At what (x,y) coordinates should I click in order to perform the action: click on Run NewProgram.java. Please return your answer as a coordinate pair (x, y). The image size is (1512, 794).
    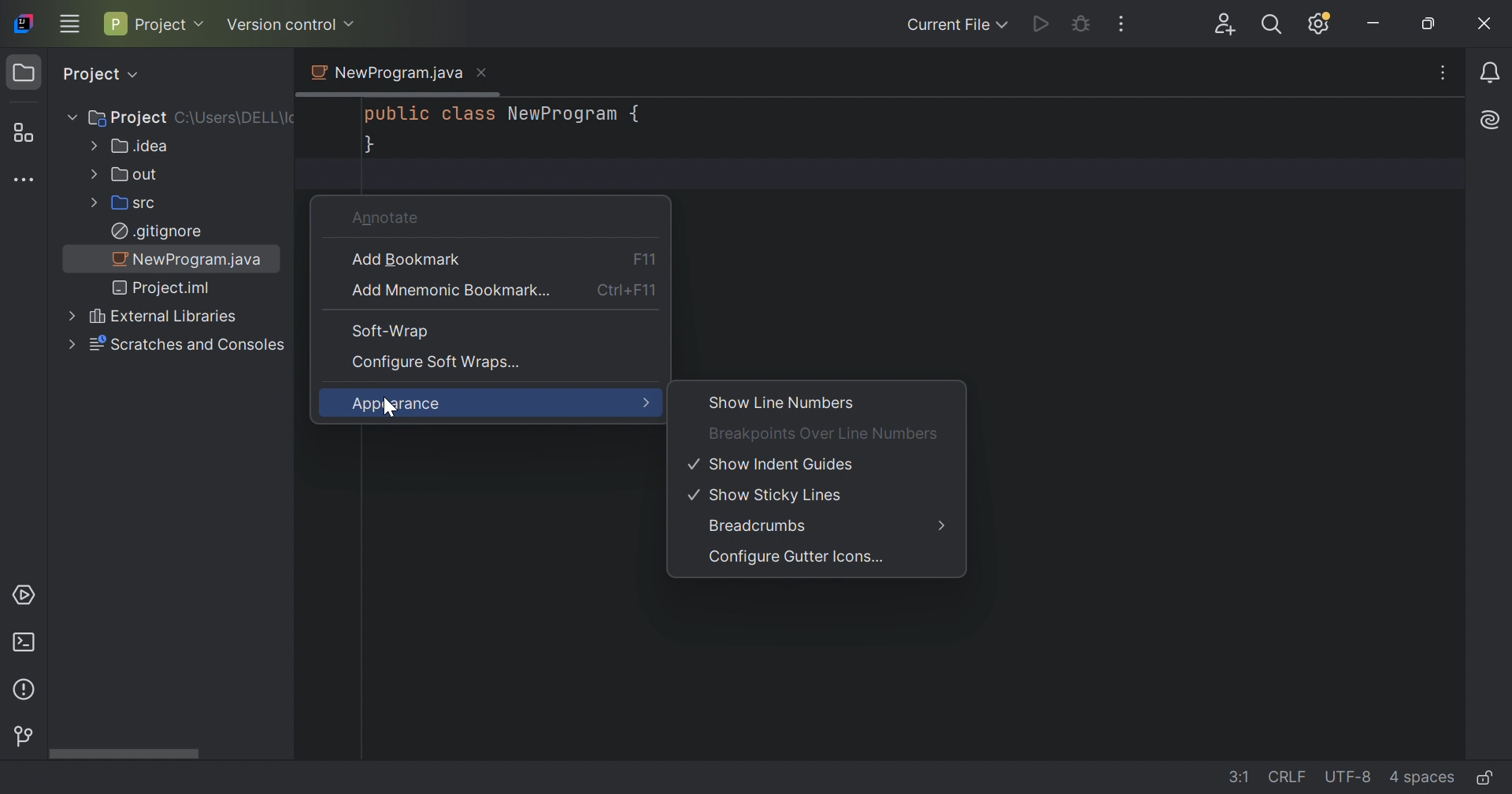
    Looking at the image, I should click on (1041, 25).